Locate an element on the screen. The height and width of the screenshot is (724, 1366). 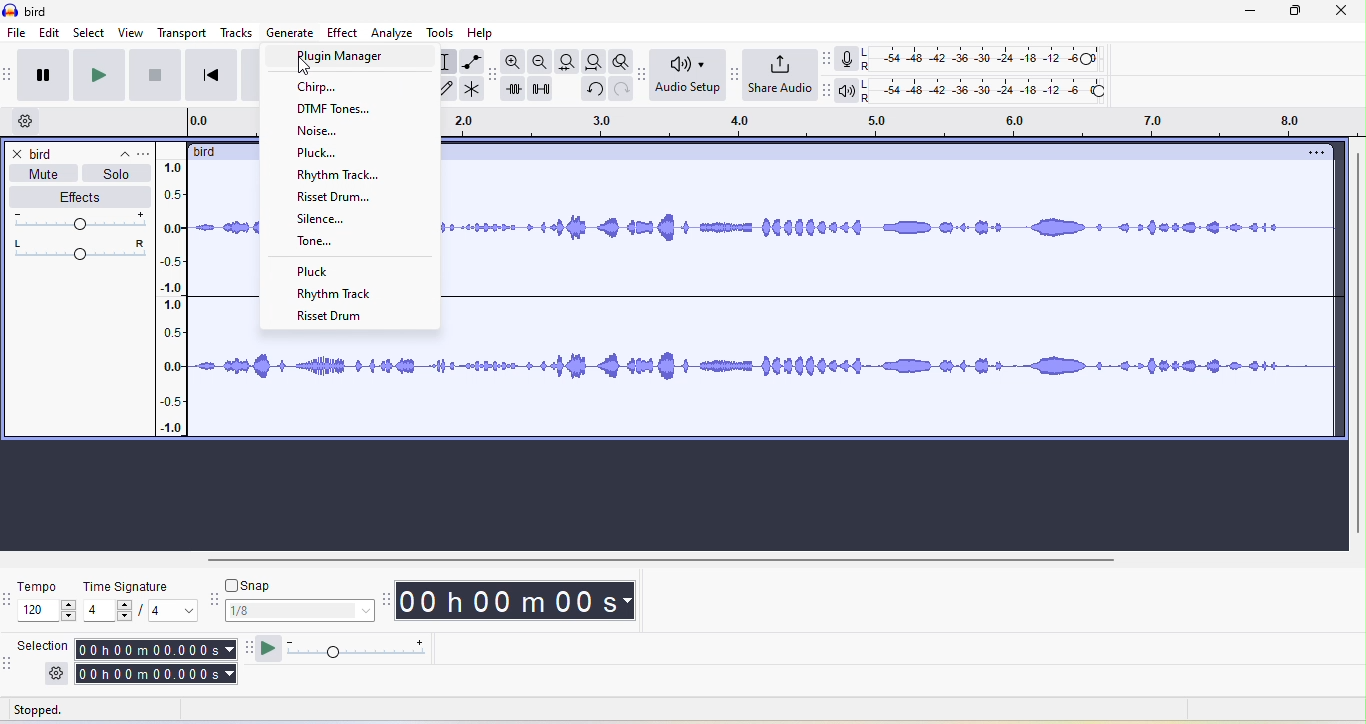
selection is located at coordinates (43, 645).